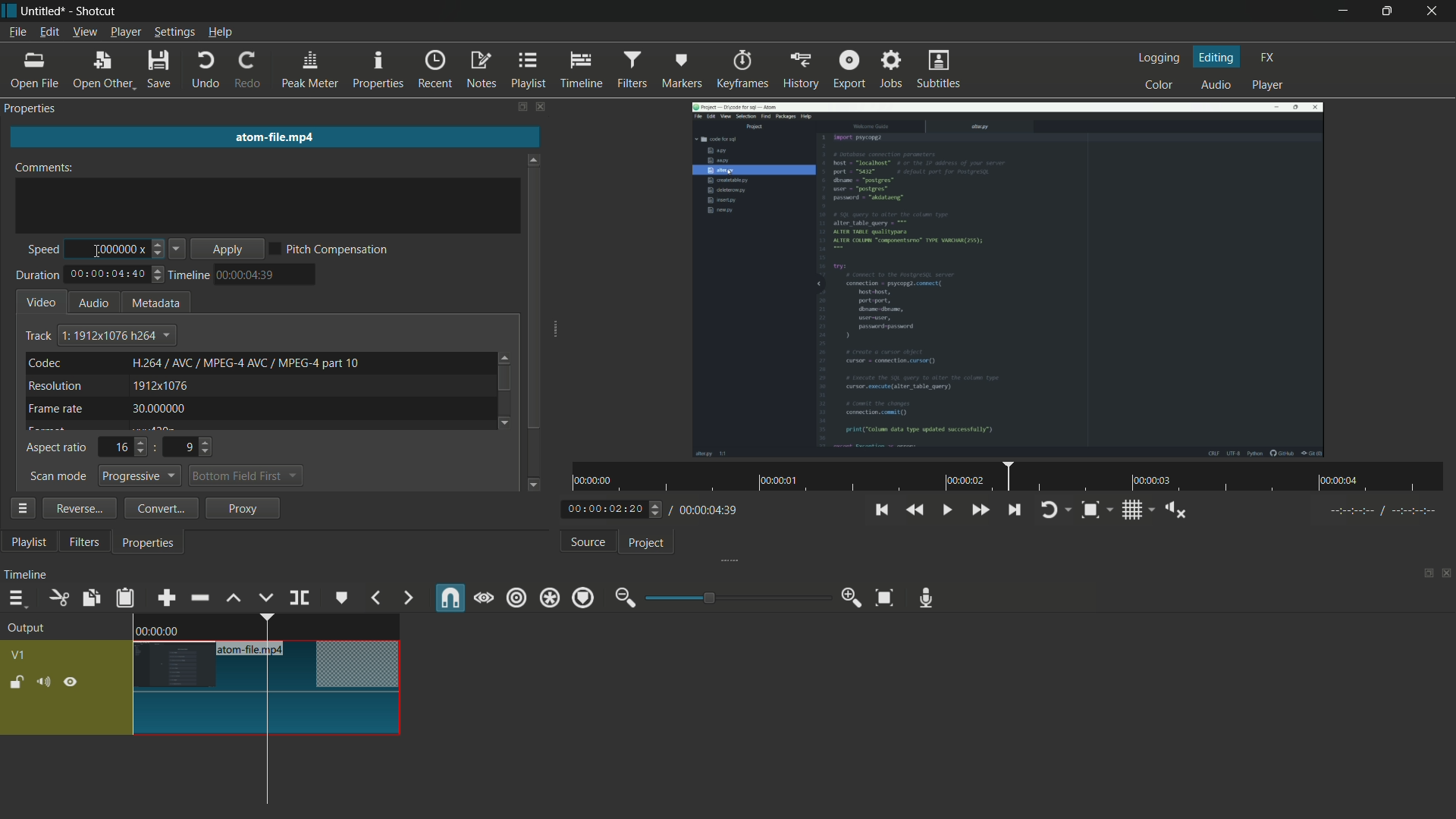 This screenshot has height=819, width=1456. I want to click on open other, so click(102, 71).